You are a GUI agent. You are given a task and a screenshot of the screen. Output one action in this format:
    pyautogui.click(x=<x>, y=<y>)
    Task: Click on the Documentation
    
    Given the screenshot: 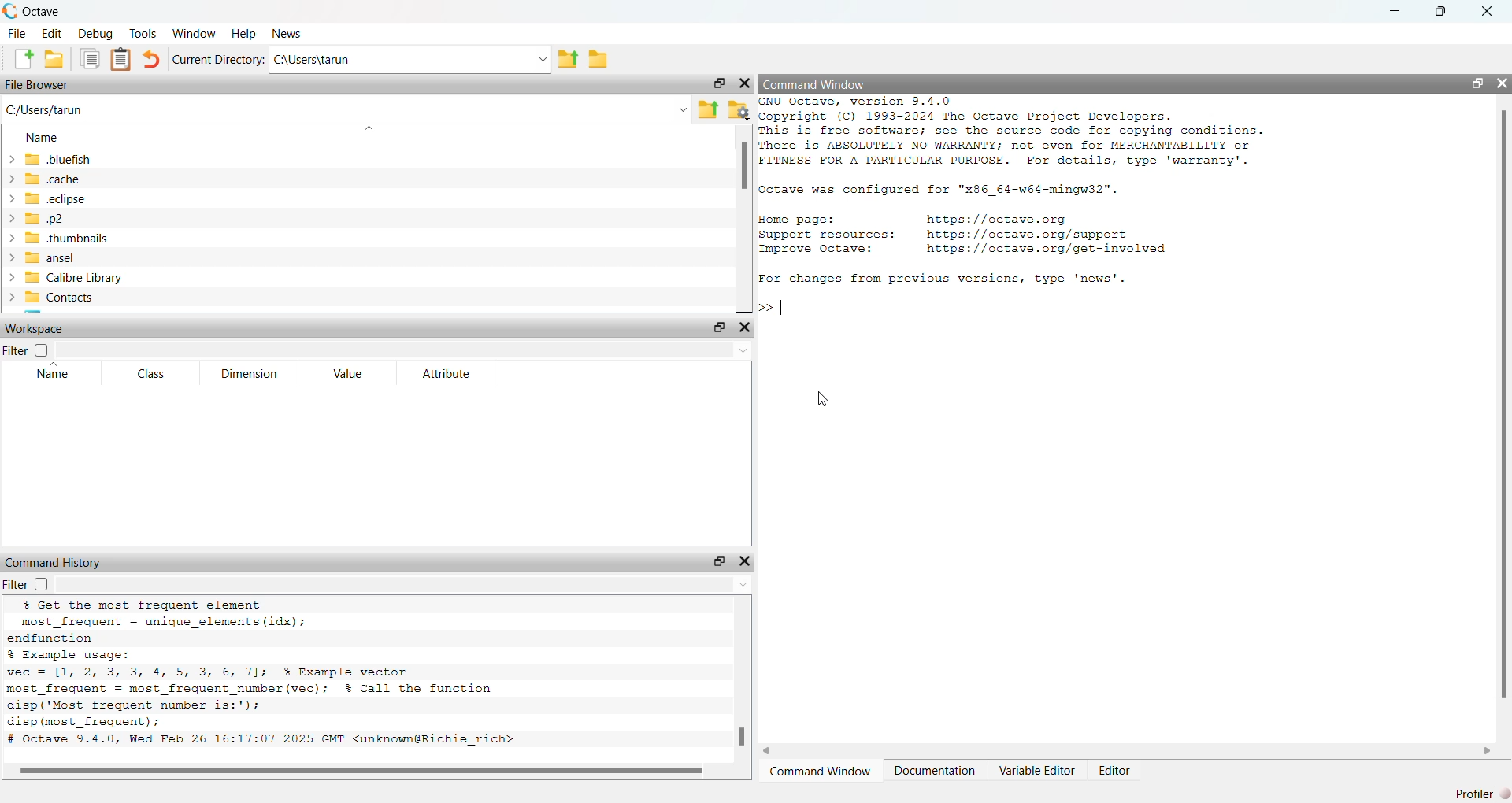 What is the action you would take?
    pyautogui.click(x=935, y=771)
    